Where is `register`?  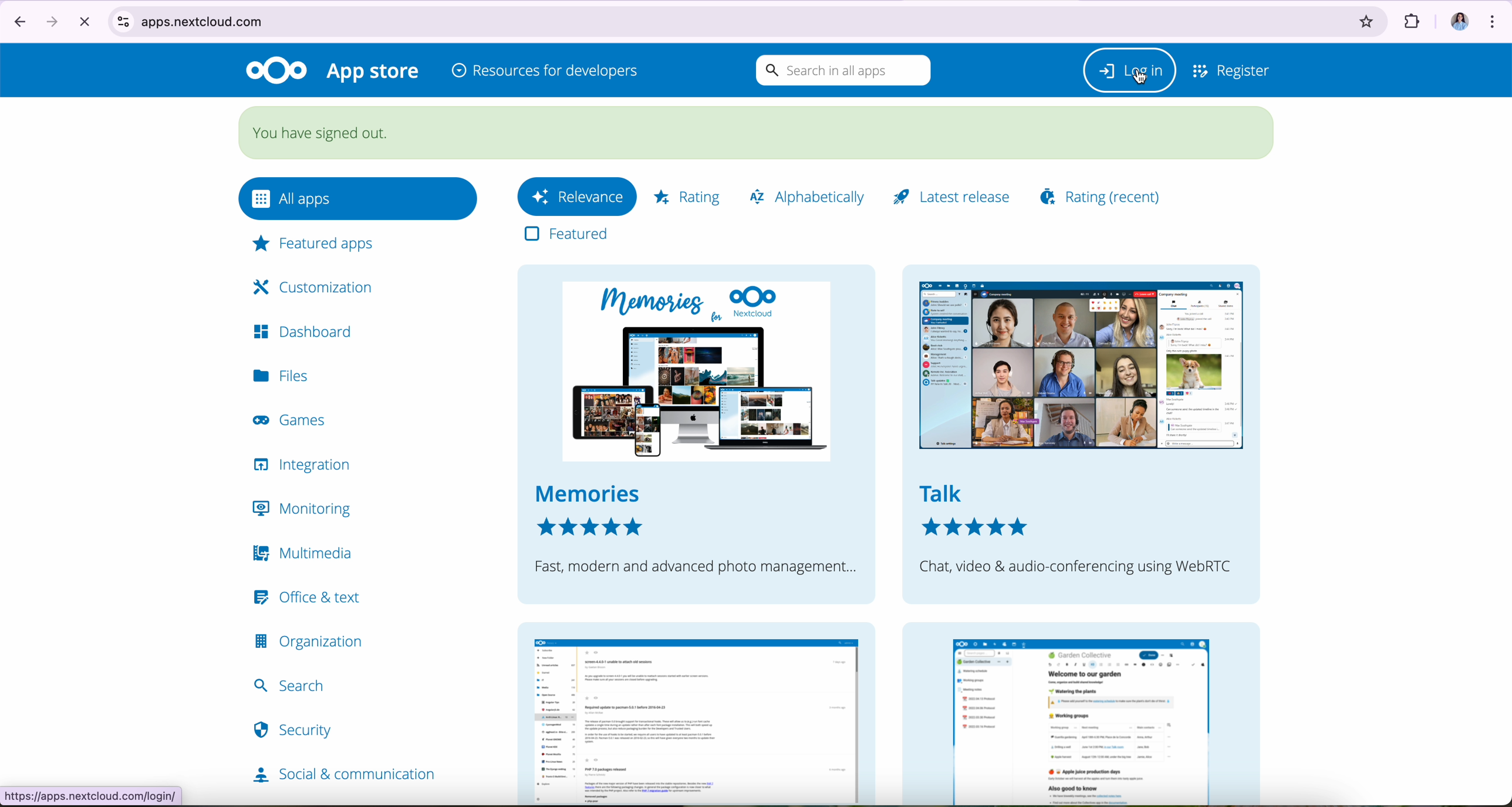 register is located at coordinates (1232, 68).